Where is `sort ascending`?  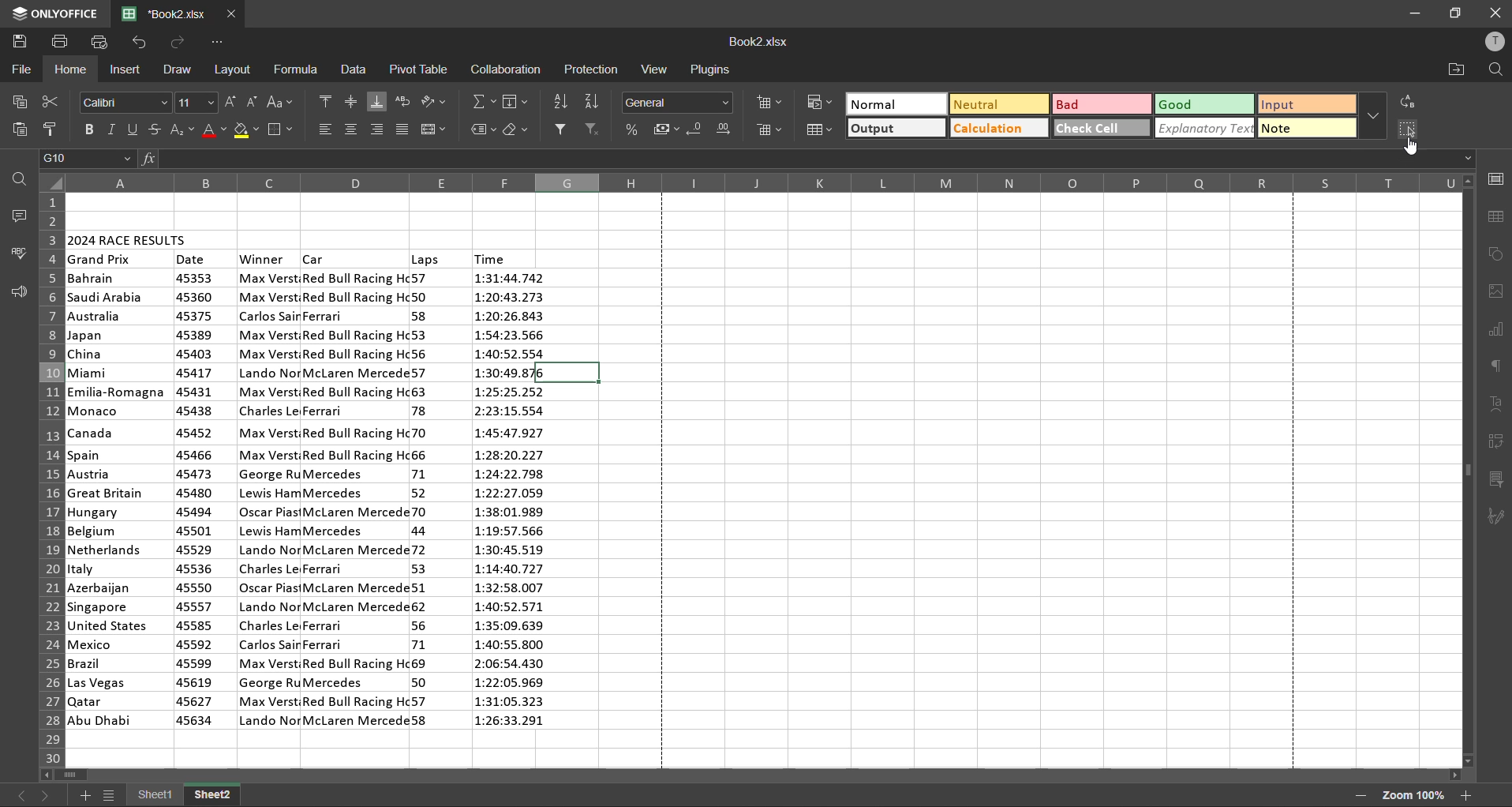
sort ascending is located at coordinates (562, 102).